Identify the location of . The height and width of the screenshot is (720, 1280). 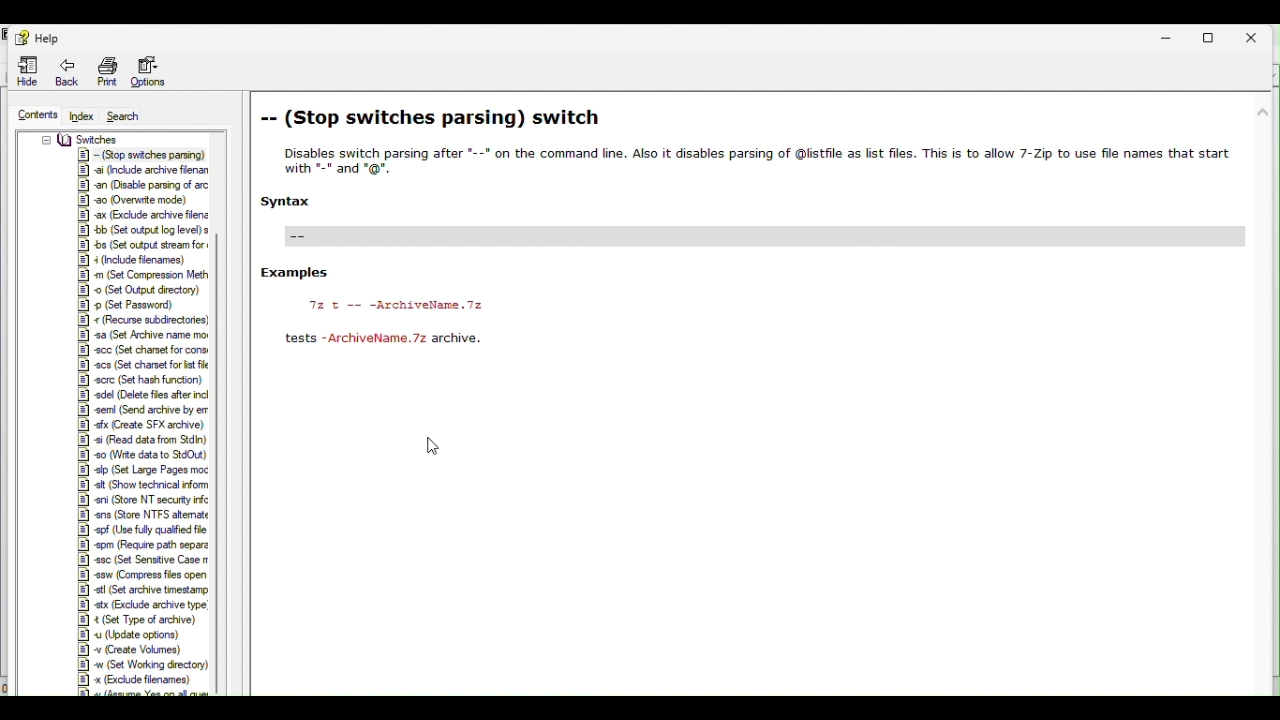
(144, 364).